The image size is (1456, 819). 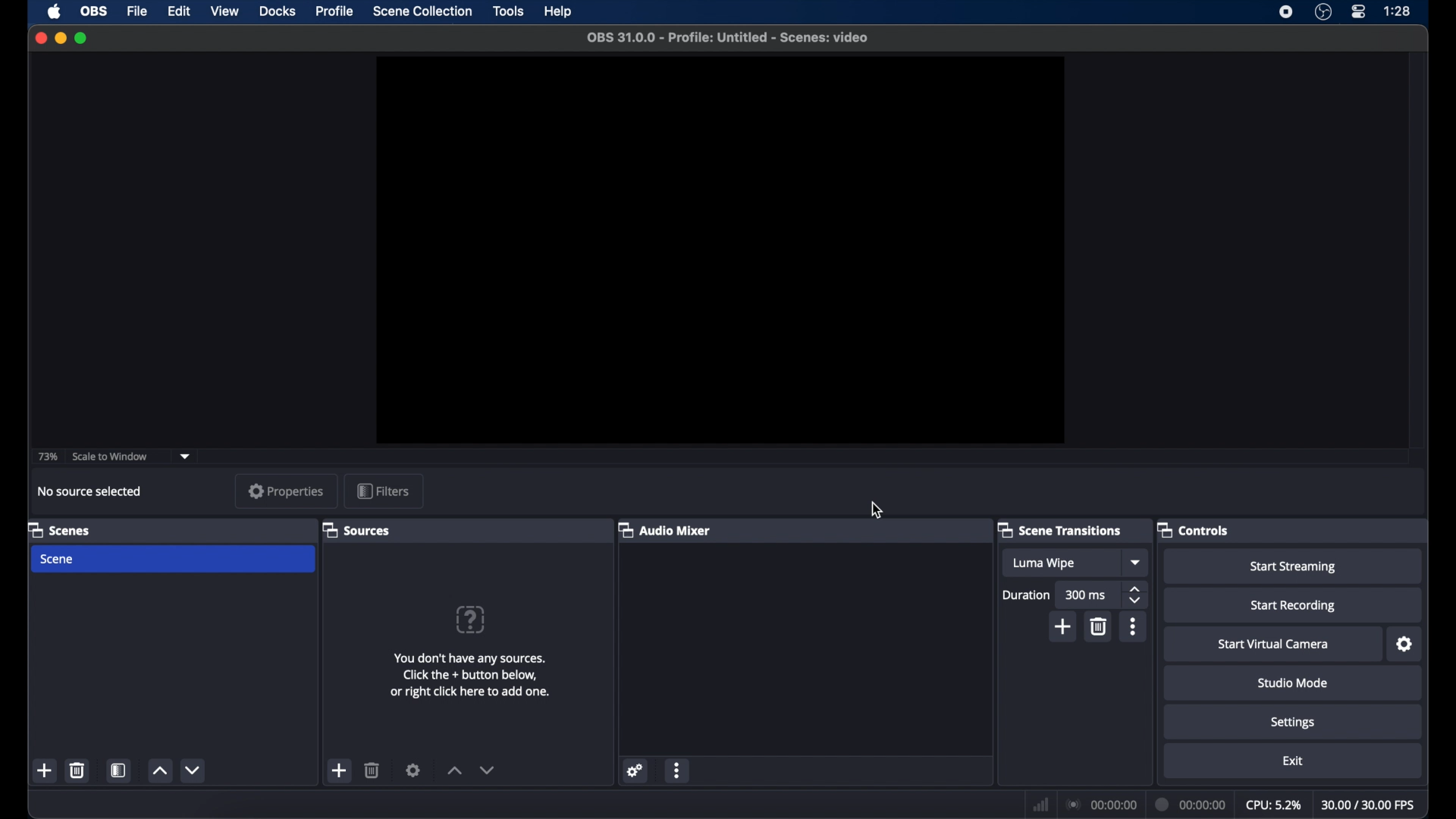 What do you see at coordinates (413, 770) in the screenshot?
I see `settings` at bounding box center [413, 770].